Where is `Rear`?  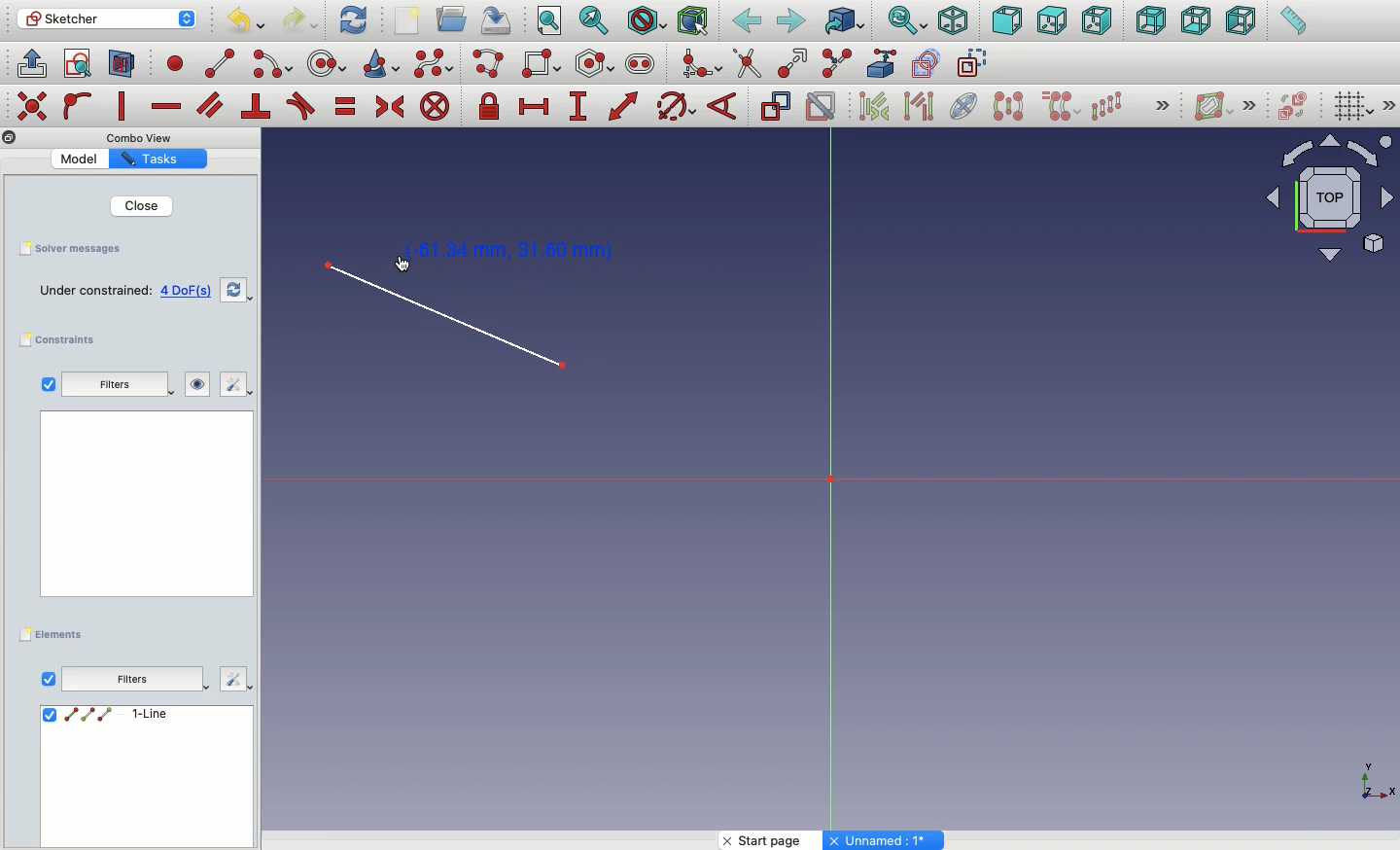 Rear is located at coordinates (1149, 21).